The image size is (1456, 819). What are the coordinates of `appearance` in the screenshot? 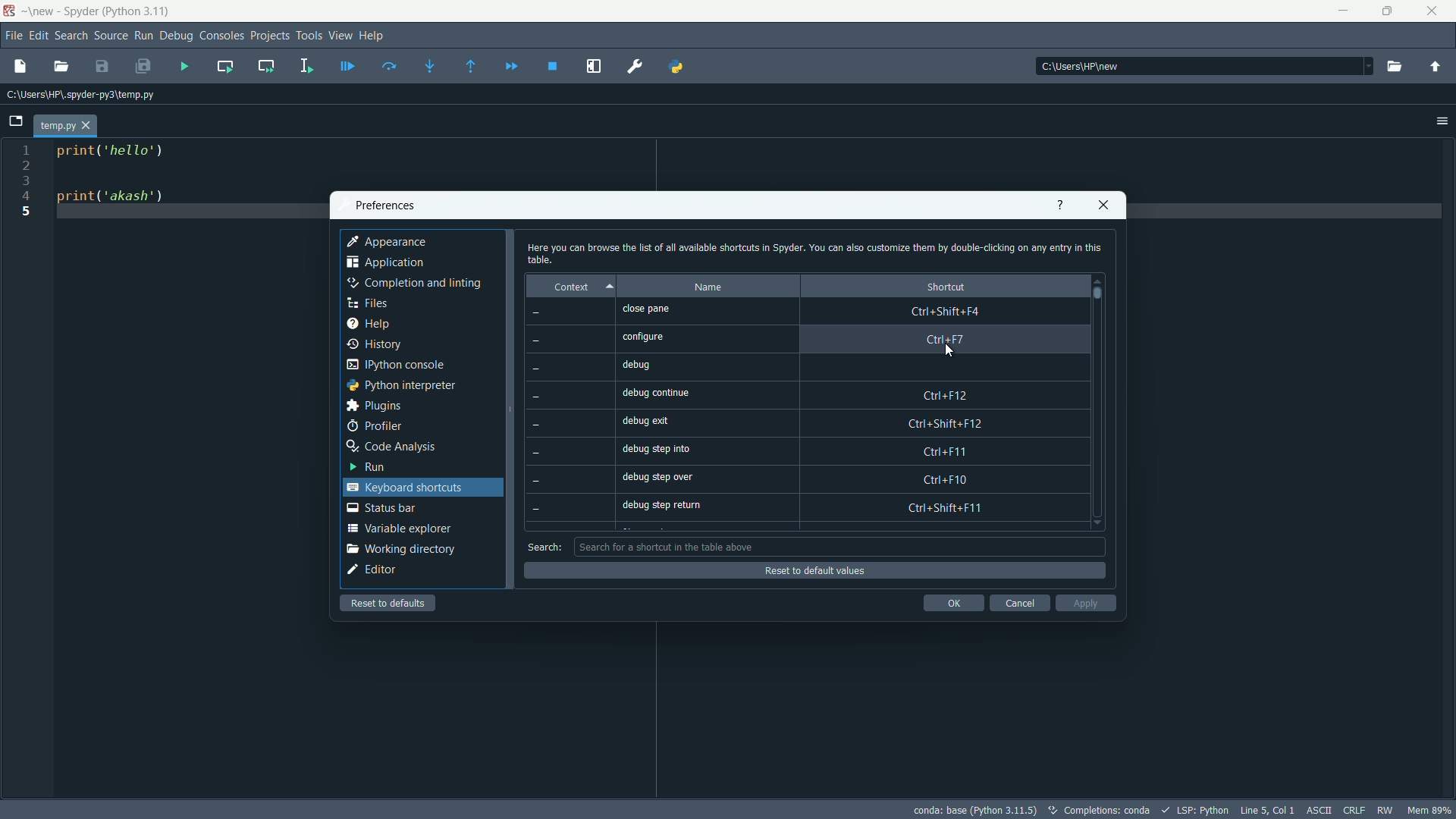 It's located at (388, 242).